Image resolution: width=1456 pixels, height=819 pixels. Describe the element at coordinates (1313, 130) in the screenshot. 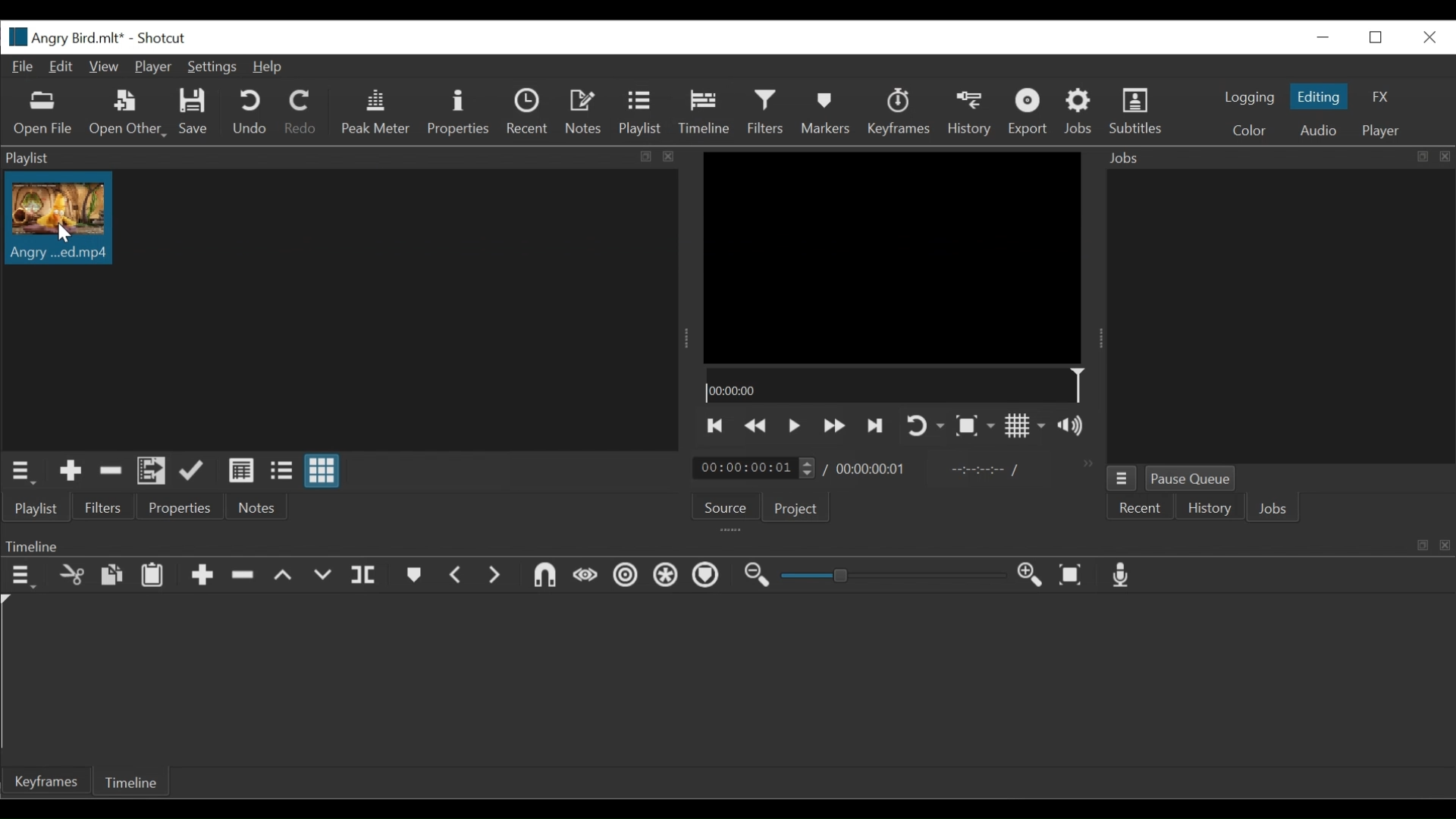

I see `Audio` at that location.